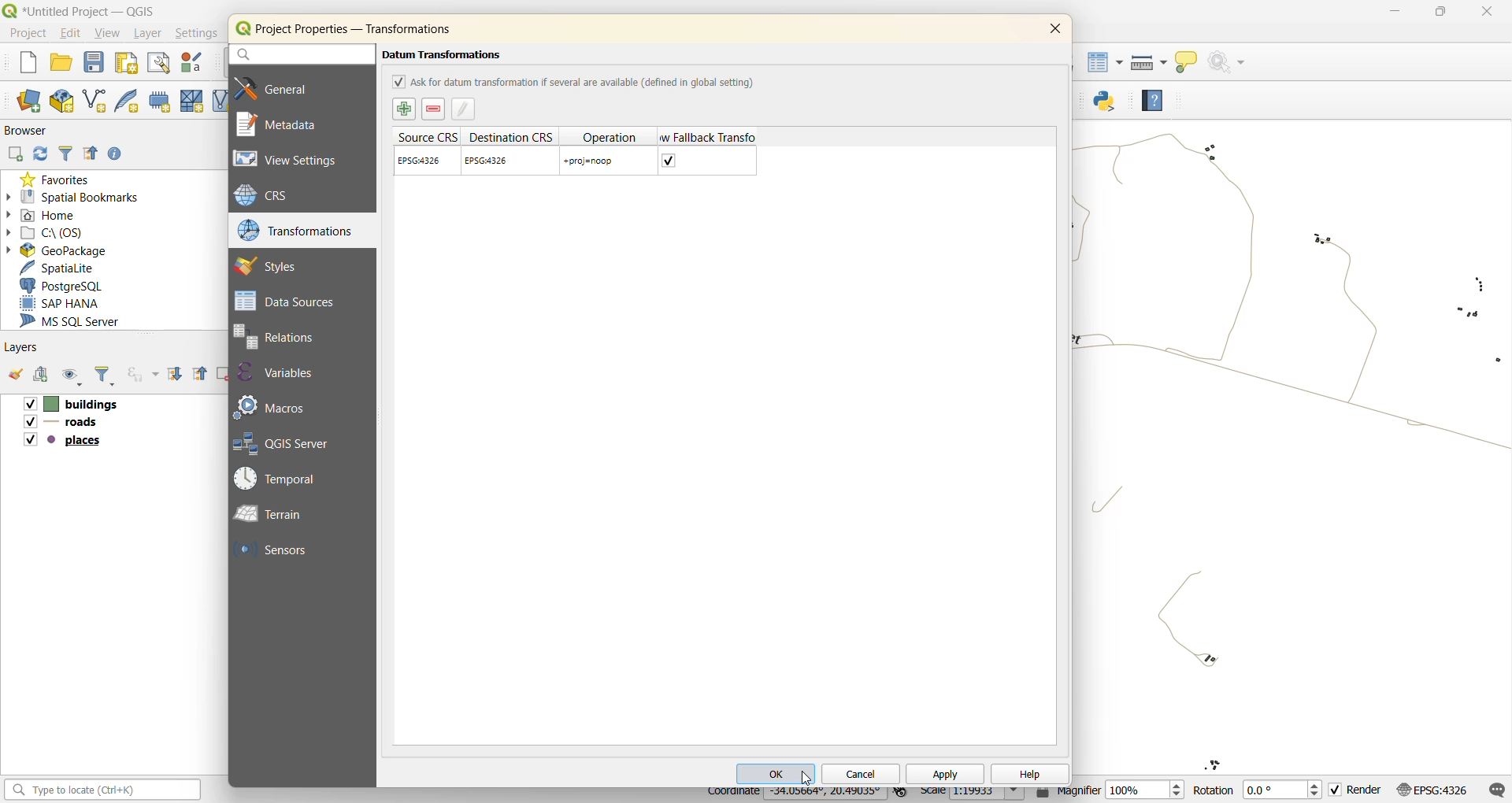  I want to click on ms sql server, so click(79, 320).